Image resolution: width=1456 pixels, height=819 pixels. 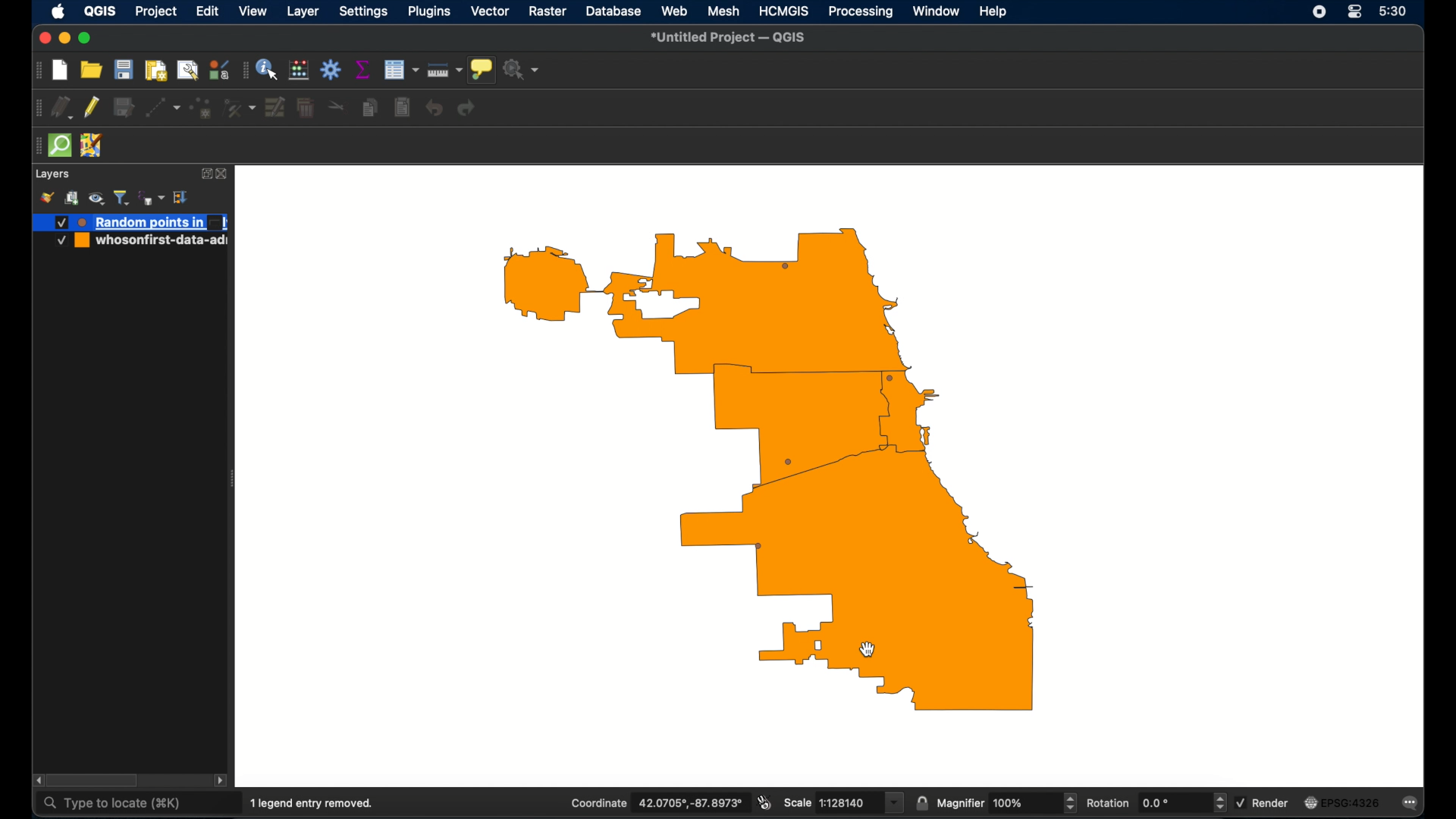 What do you see at coordinates (764, 802) in the screenshot?
I see `toggle extents and  mouse display position ` at bounding box center [764, 802].